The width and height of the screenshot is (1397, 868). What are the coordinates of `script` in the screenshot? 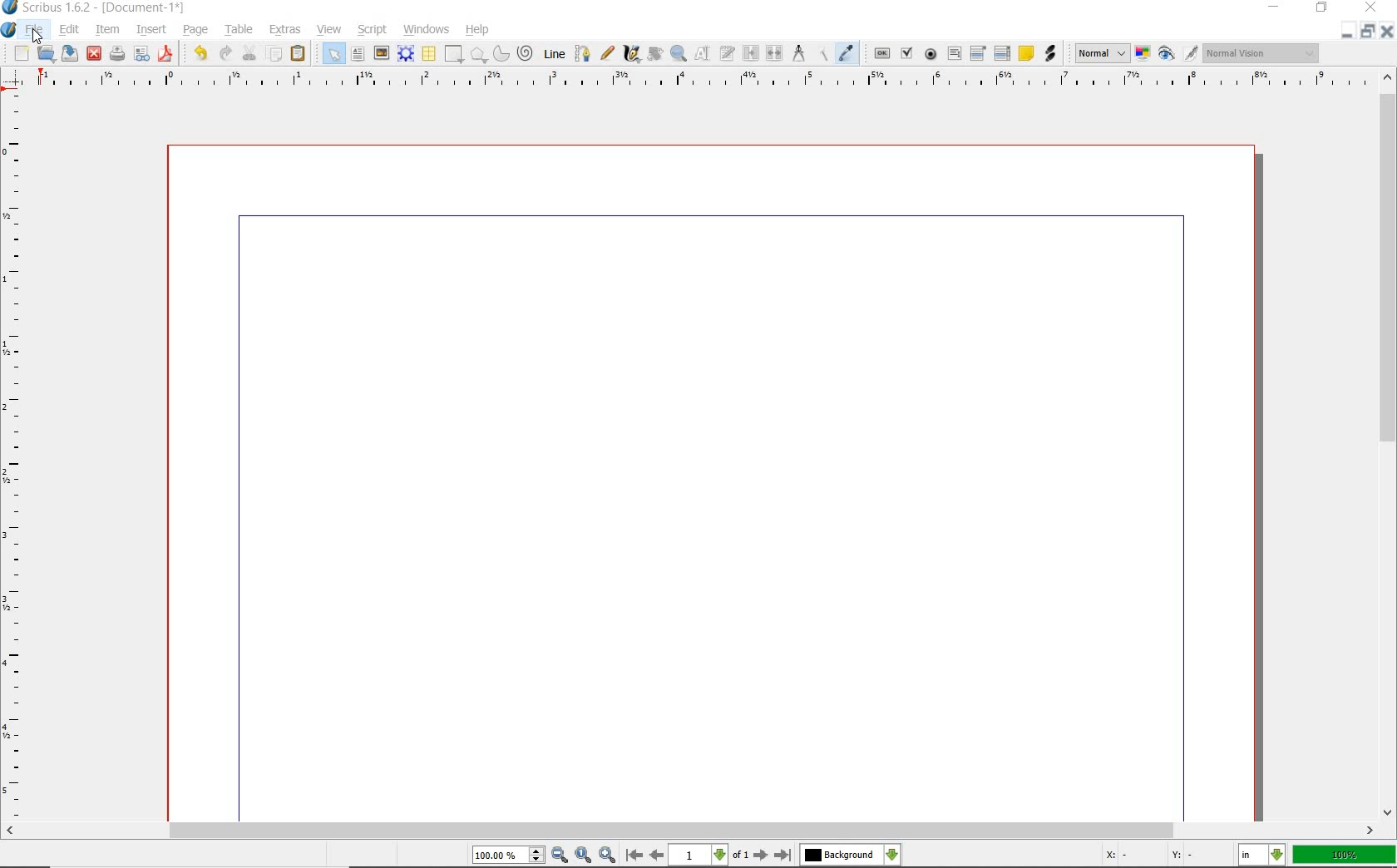 It's located at (375, 30).